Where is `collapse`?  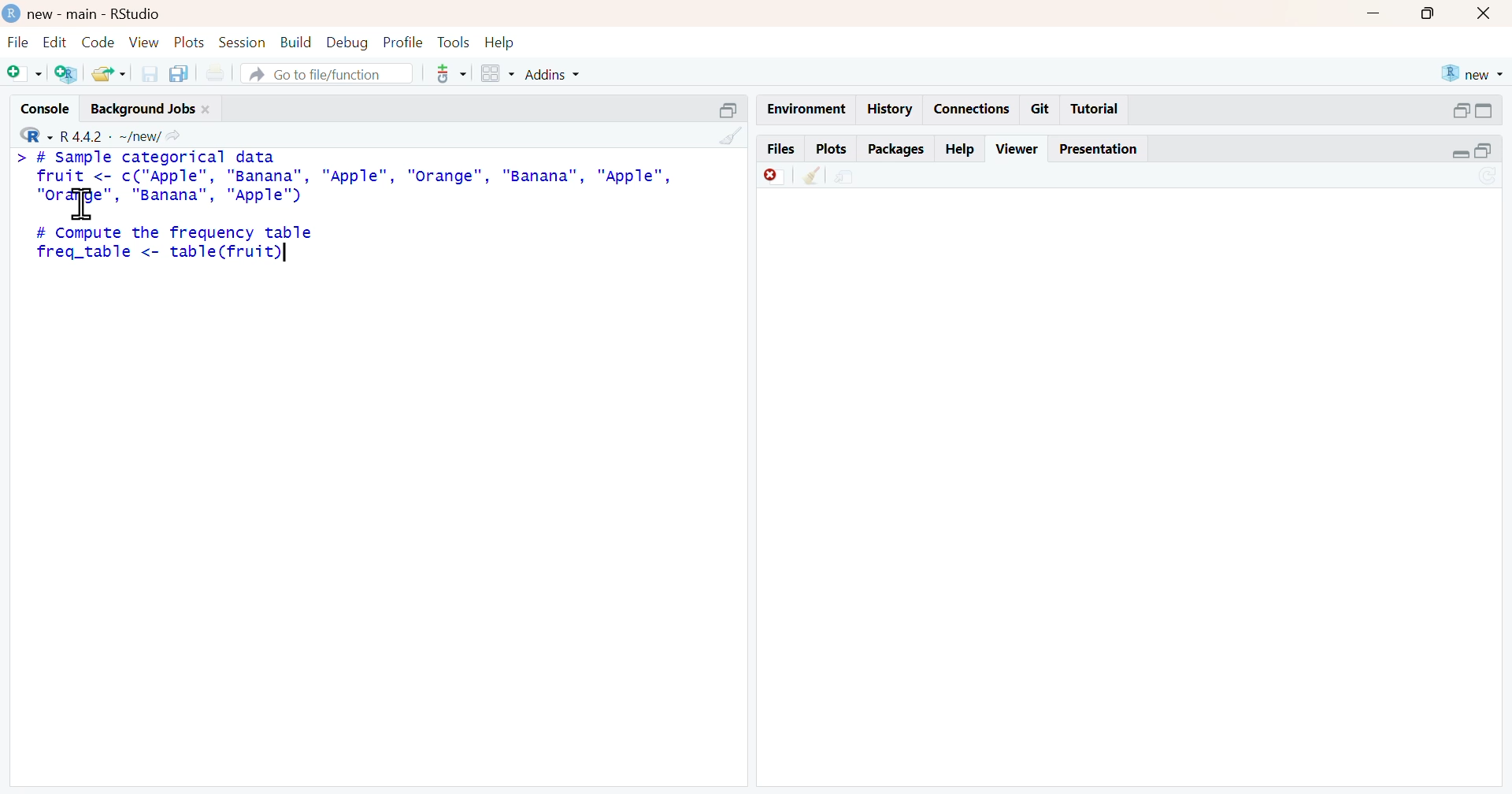 collapse is located at coordinates (1490, 151).